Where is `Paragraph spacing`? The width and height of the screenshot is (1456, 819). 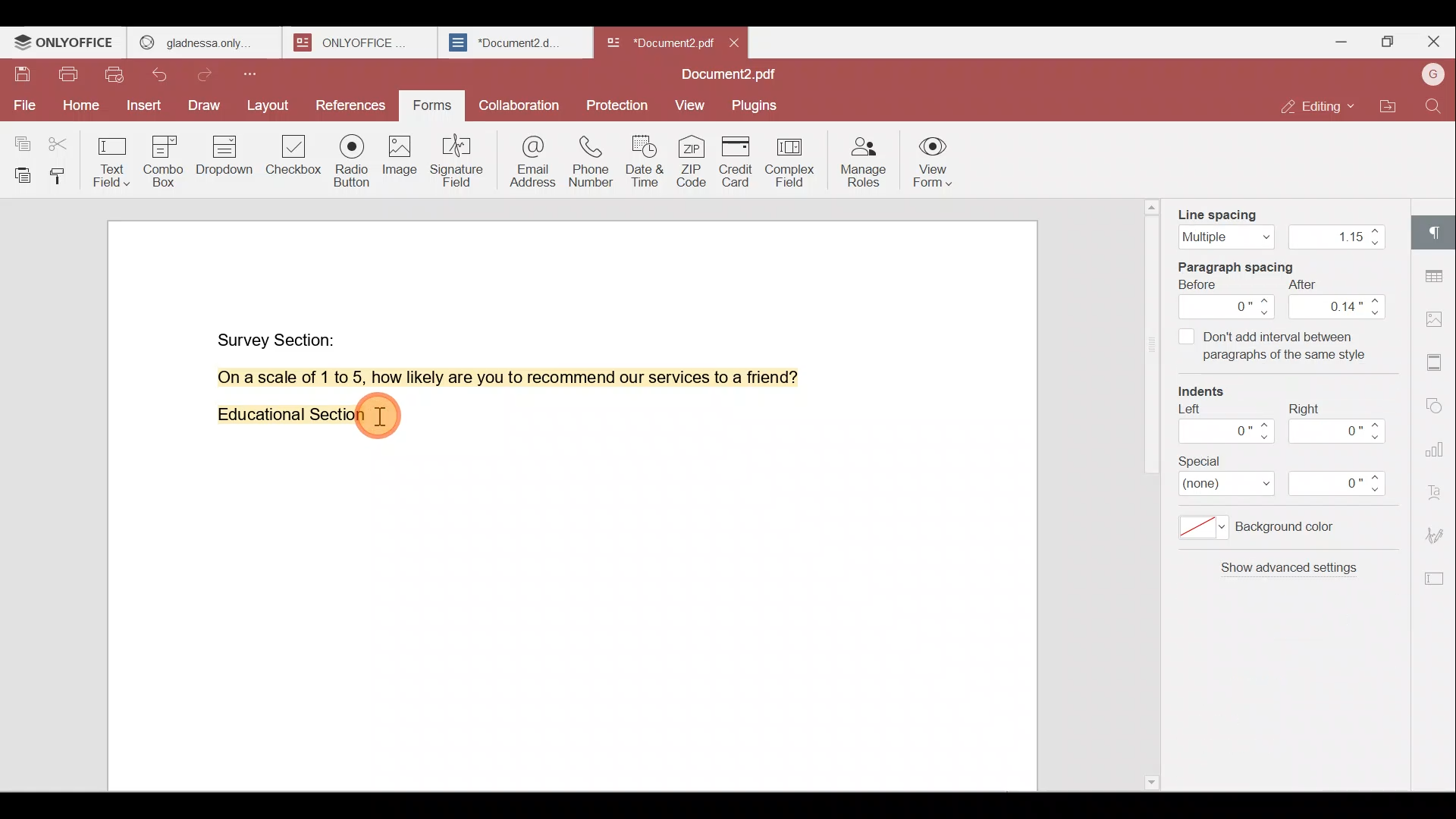 Paragraph spacing is located at coordinates (1250, 265).